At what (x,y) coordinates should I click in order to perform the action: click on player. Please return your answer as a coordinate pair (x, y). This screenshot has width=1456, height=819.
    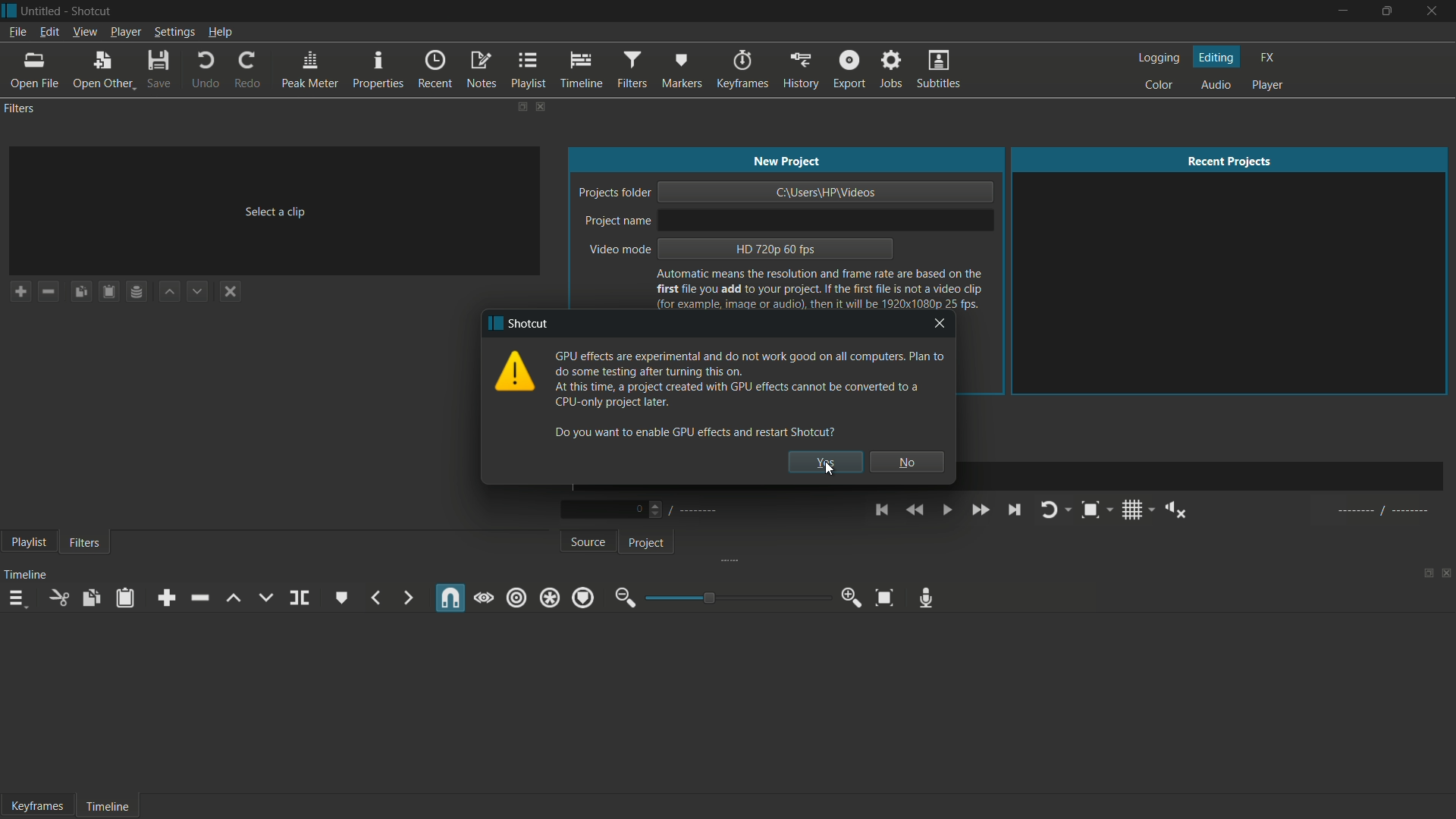
    Looking at the image, I should click on (1268, 85).